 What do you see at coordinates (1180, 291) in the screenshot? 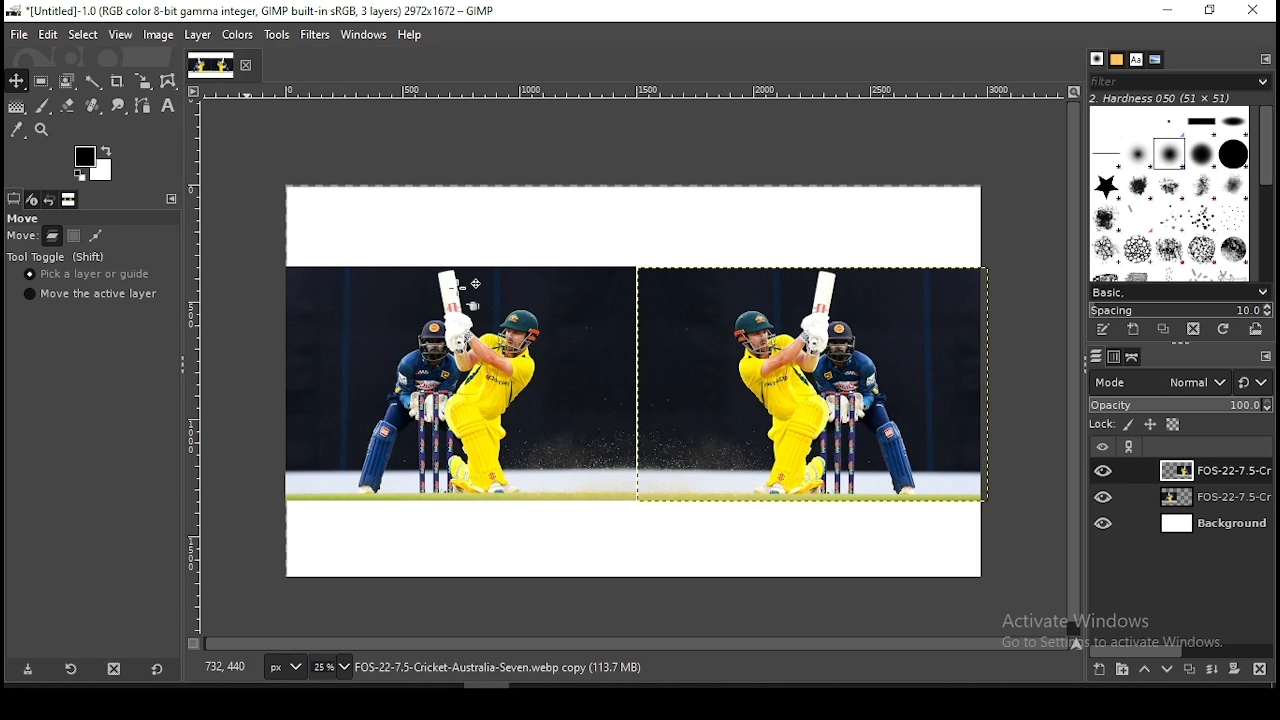
I see `brush presets` at bounding box center [1180, 291].